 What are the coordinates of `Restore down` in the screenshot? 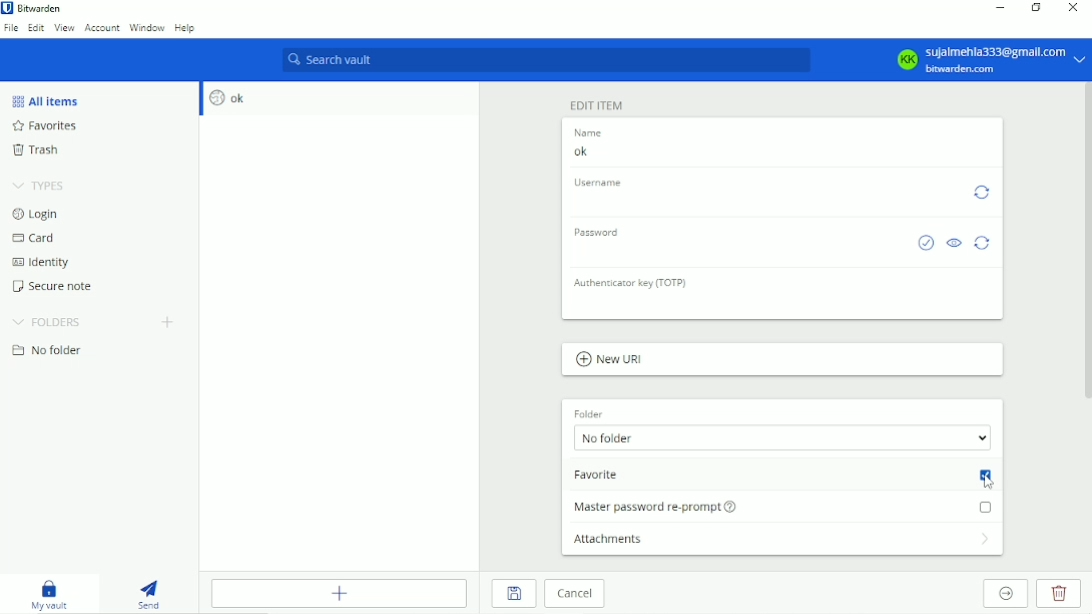 It's located at (1037, 7).